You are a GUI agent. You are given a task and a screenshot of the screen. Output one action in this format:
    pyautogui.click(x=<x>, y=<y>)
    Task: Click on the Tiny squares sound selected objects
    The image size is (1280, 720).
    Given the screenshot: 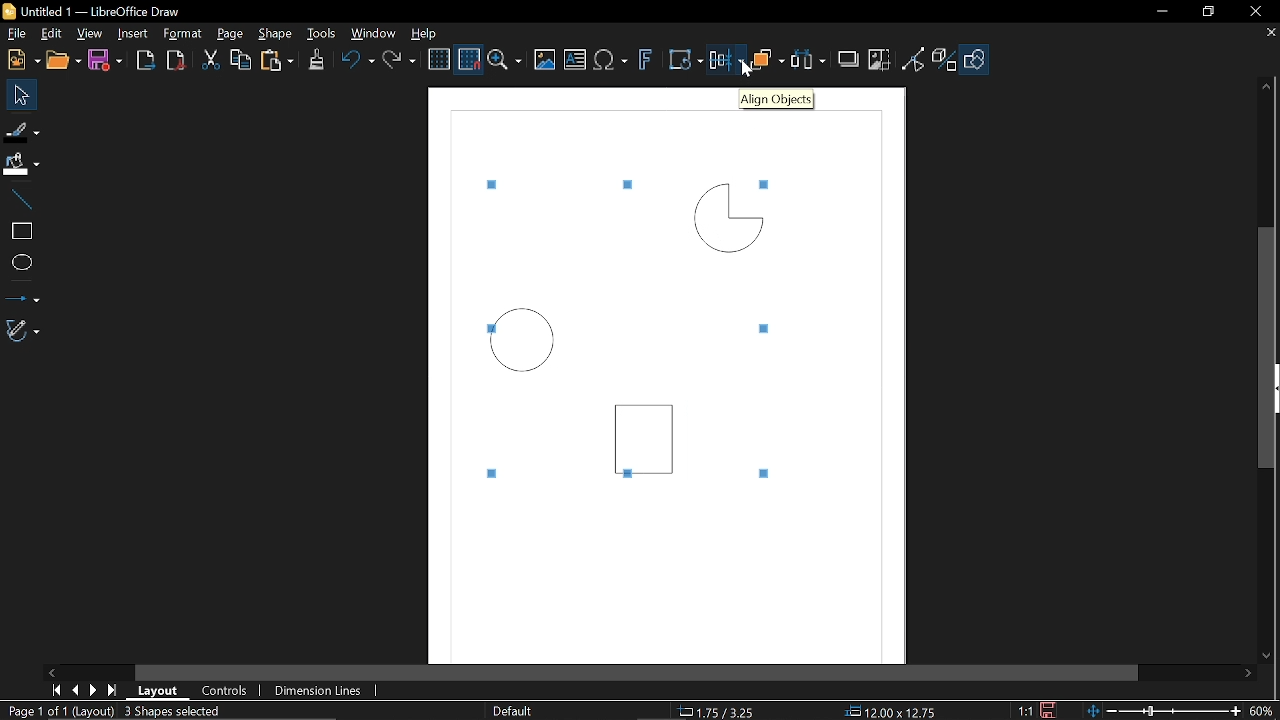 What is the action you would take?
    pyautogui.click(x=768, y=329)
    